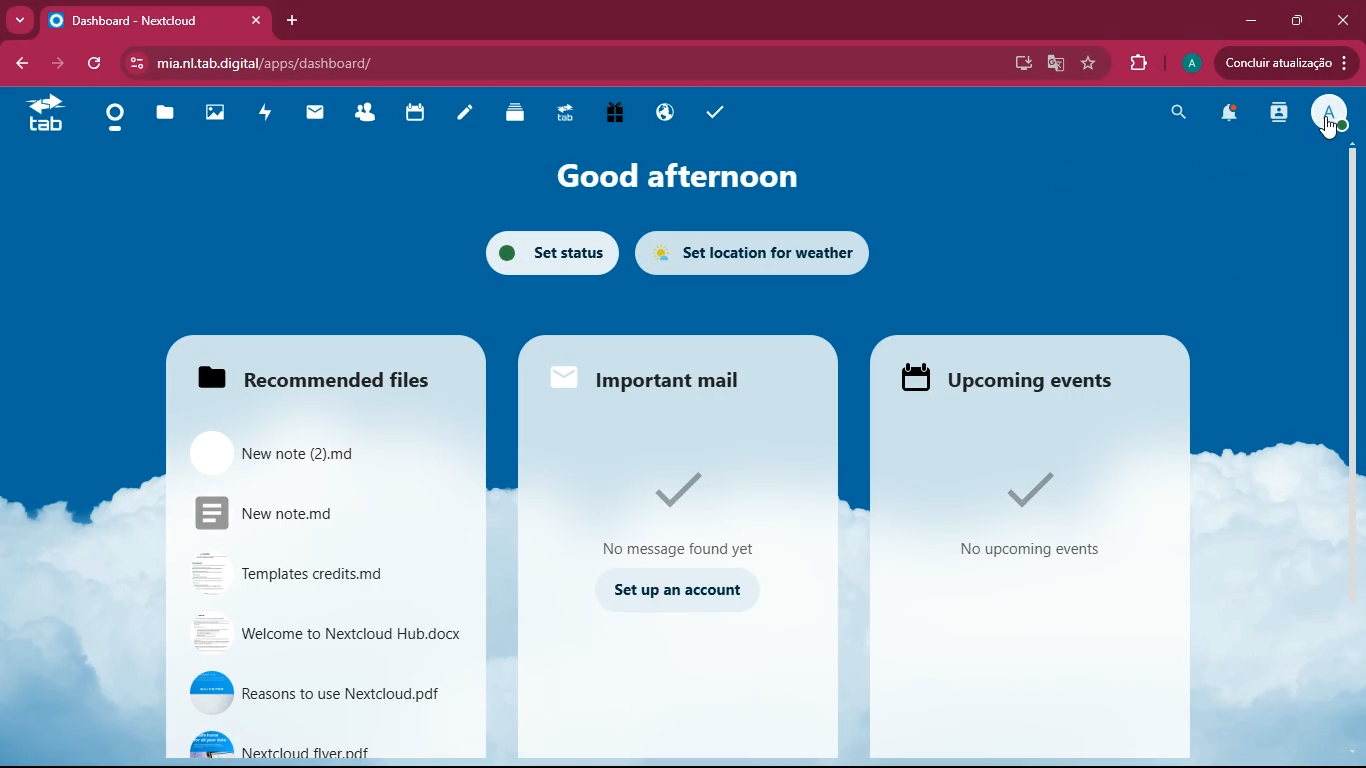 The height and width of the screenshot is (768, 1366). I want to click on favourite, so click(1090, 65).